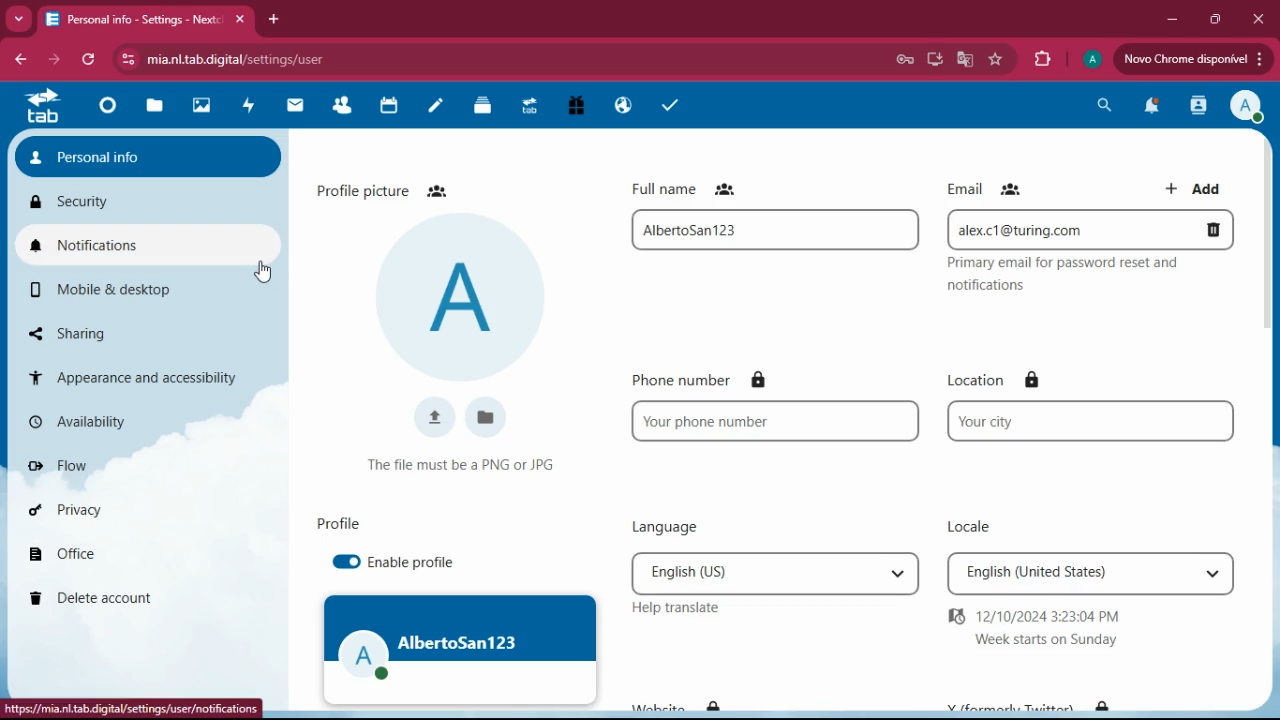 The image size is (1280, 720). I want to click on refresh, so click(90, 60).